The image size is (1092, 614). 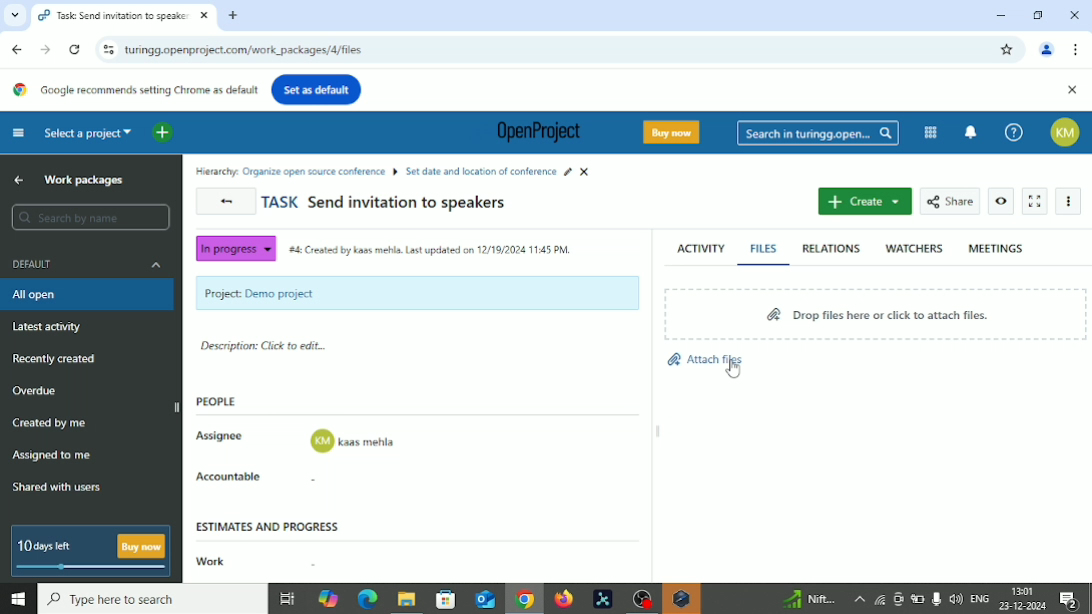 I want to click on Help, so click(x=1014, y=132).